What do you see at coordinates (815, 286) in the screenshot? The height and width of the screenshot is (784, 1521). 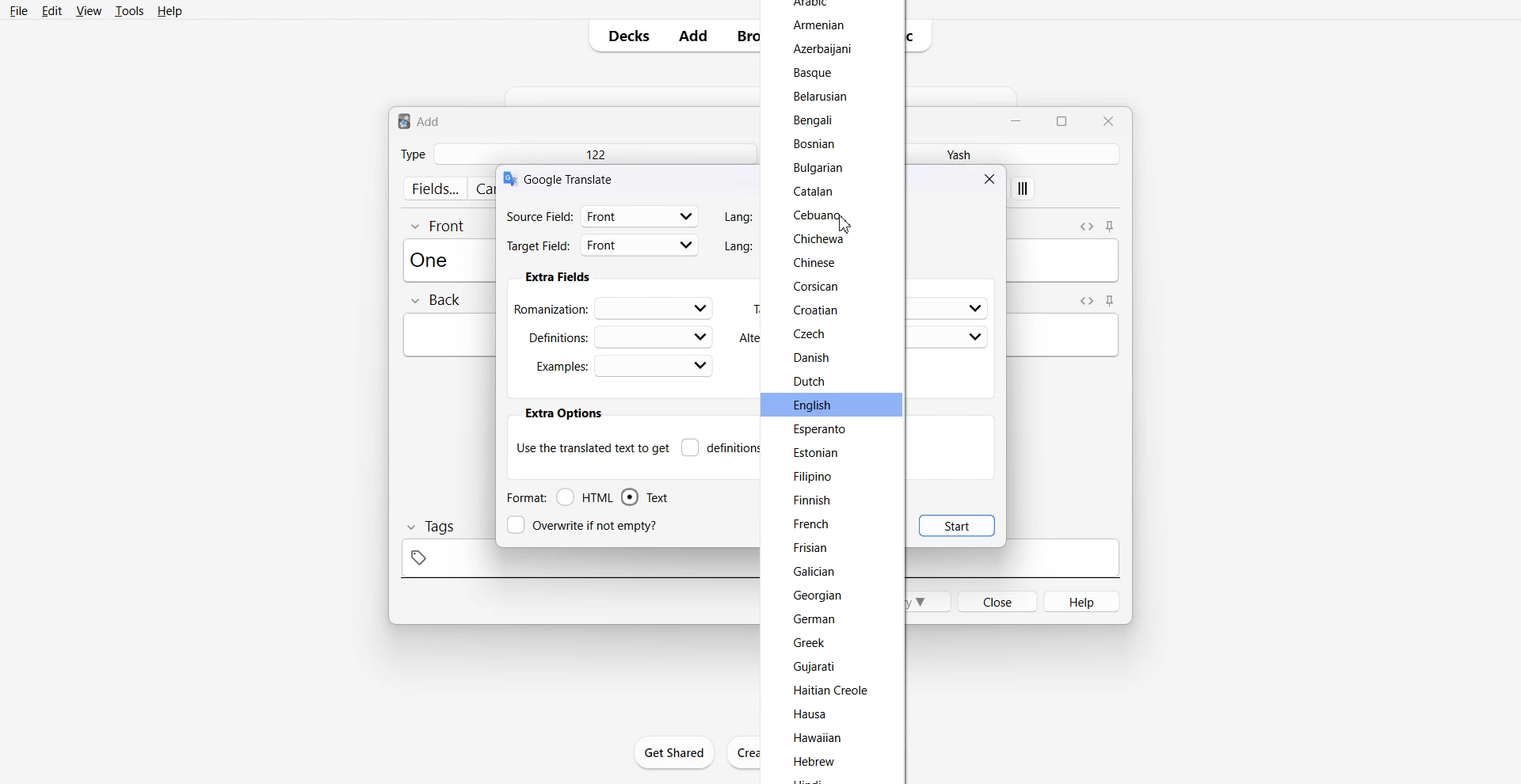 I see `Corsican` at bounding box center [815, 286].